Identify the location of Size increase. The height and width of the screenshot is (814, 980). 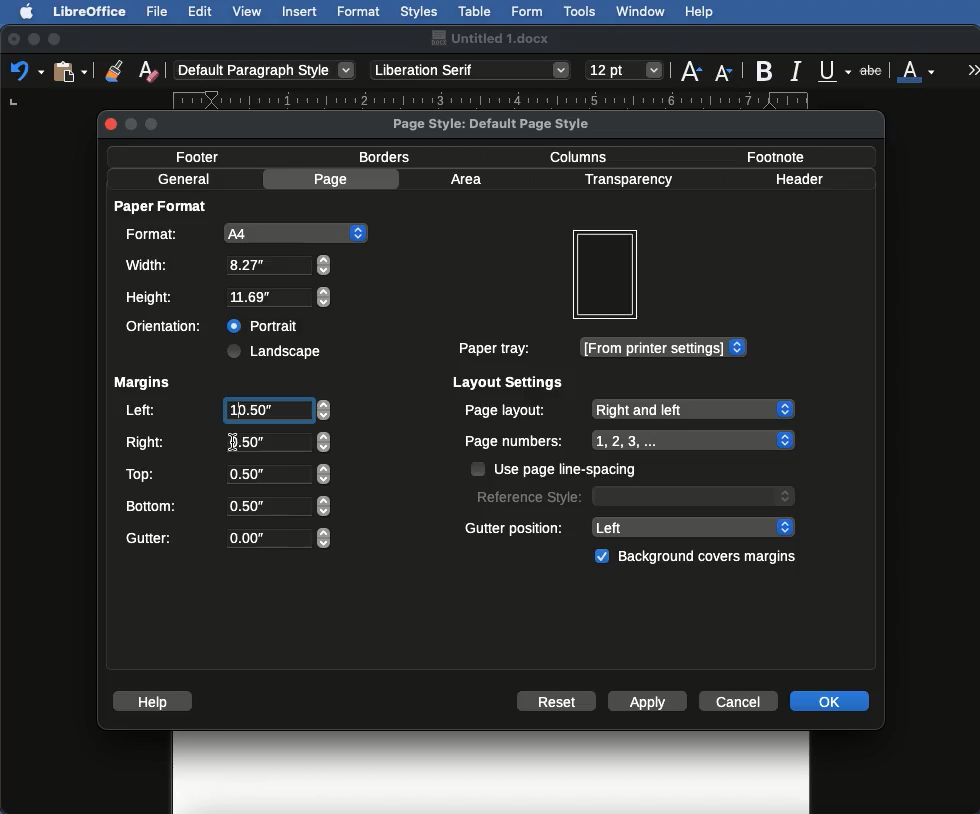
(690, 69).